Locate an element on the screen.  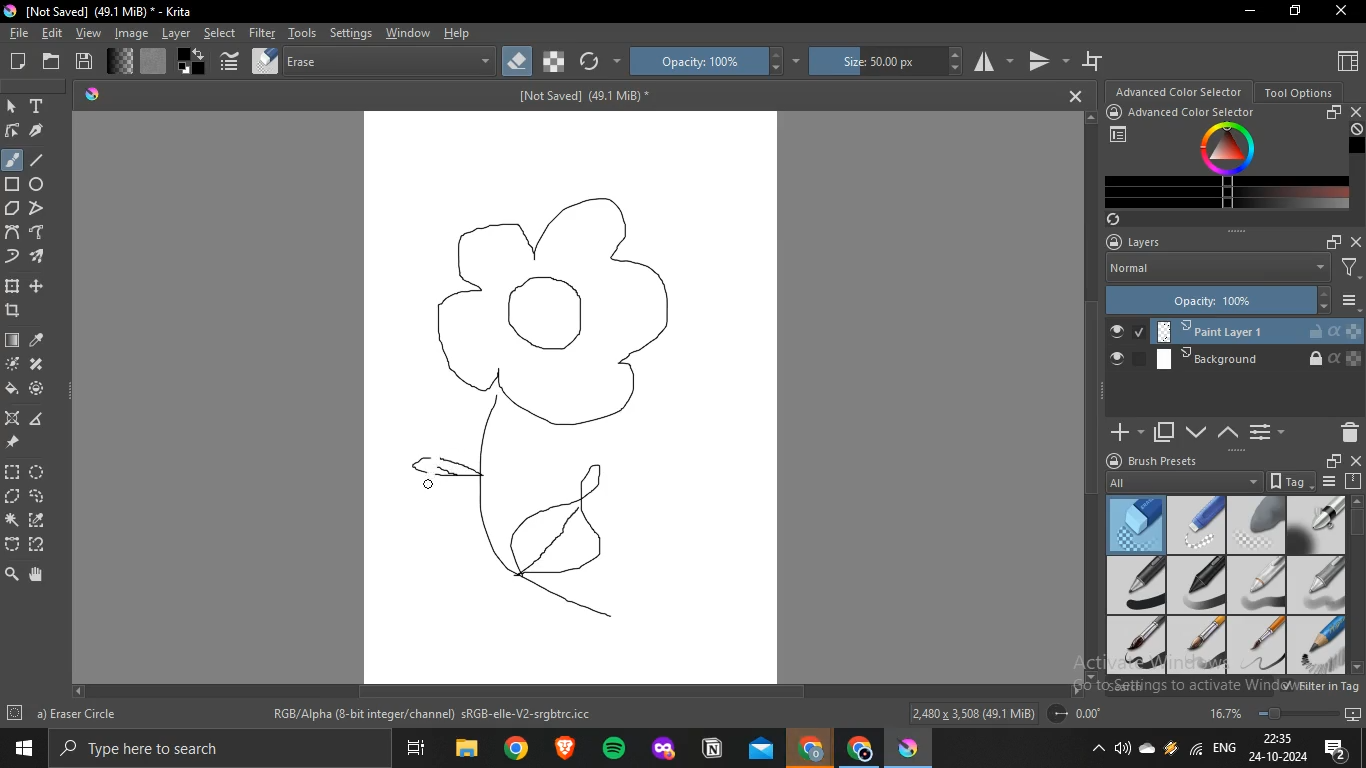
Options is located at coordinates (1351, 301).